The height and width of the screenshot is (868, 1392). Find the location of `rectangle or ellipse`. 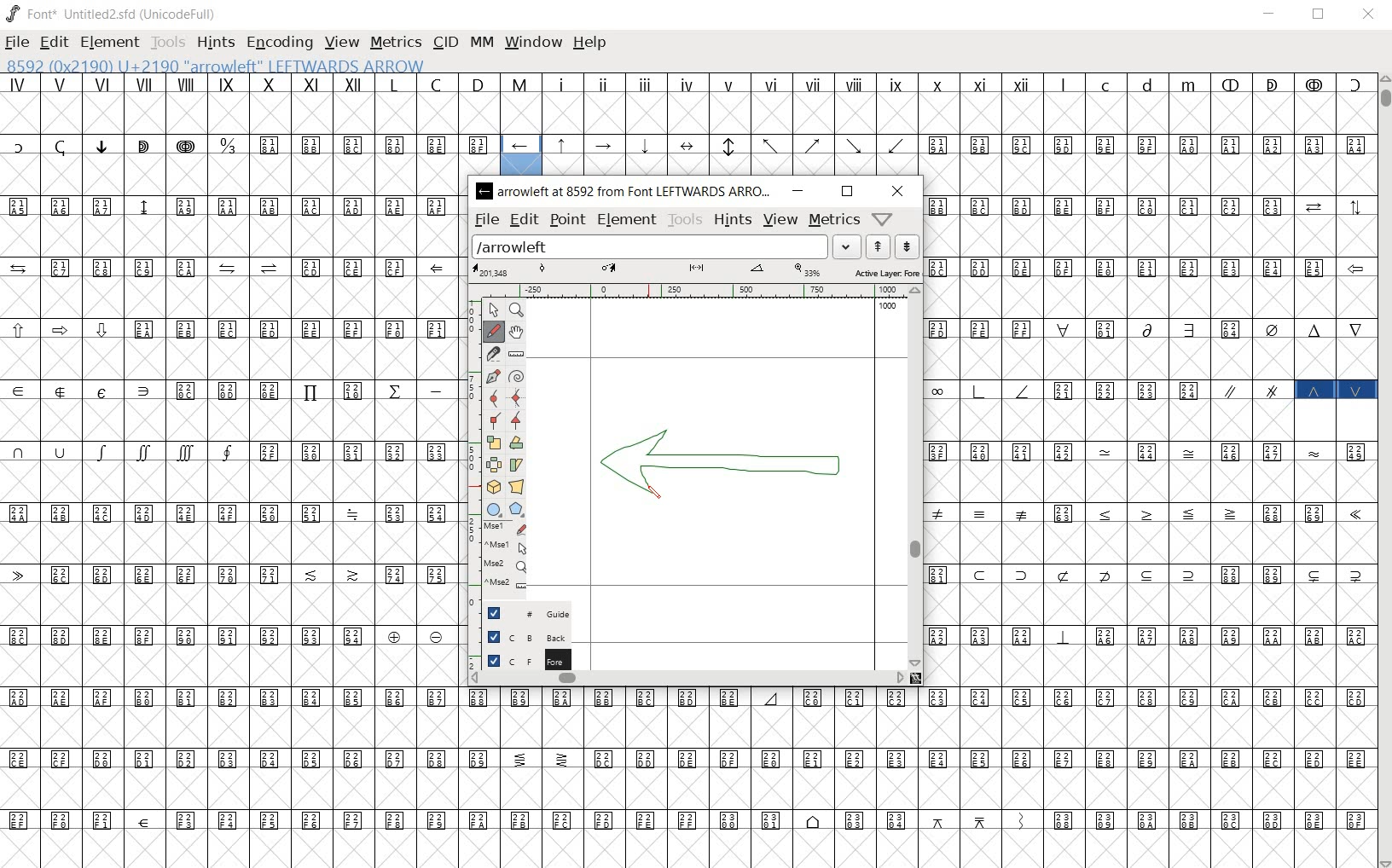

rectangle or ellipse is located at coordinates (495, 510).